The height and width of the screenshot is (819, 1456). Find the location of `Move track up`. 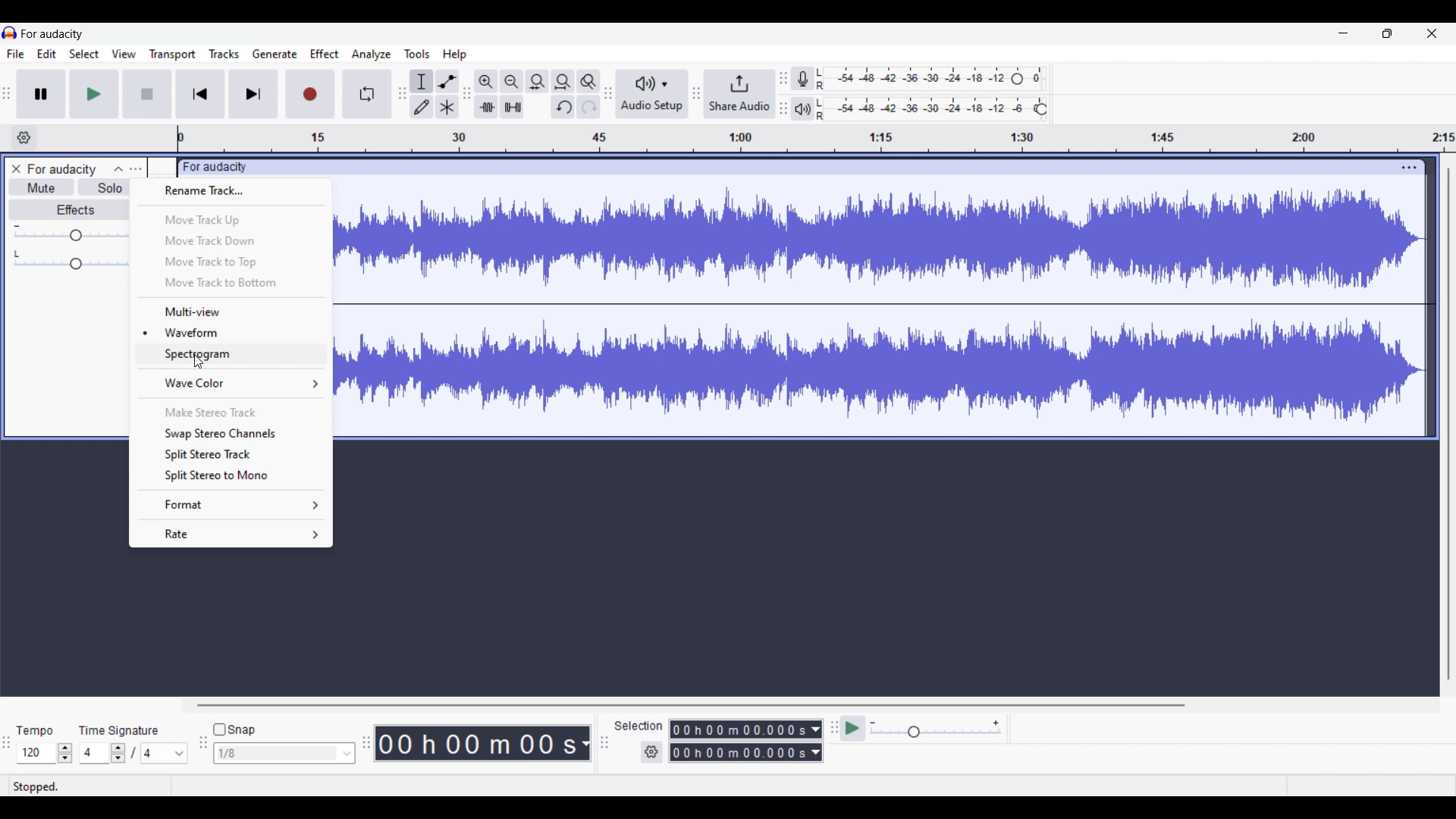

Move track up is located at coordinates (231, 219).